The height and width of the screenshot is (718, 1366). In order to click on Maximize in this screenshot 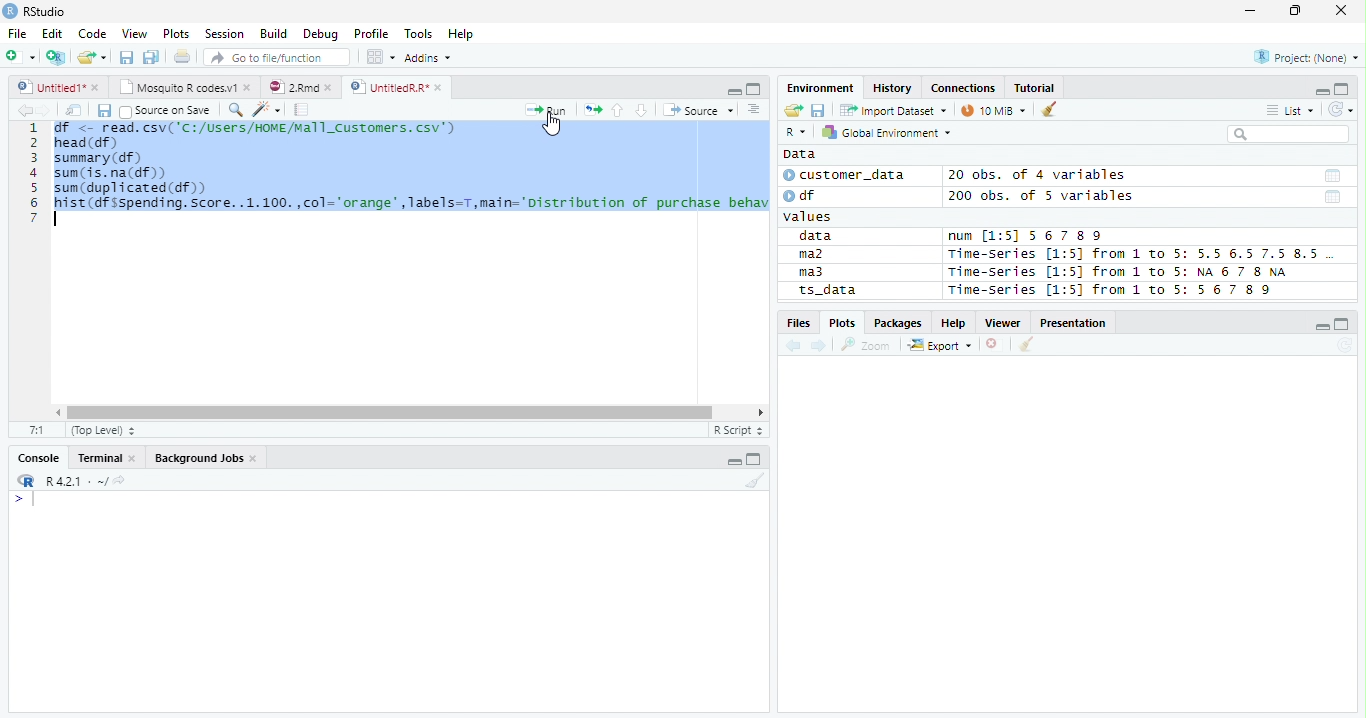, I will do `click(1343, 89)`.